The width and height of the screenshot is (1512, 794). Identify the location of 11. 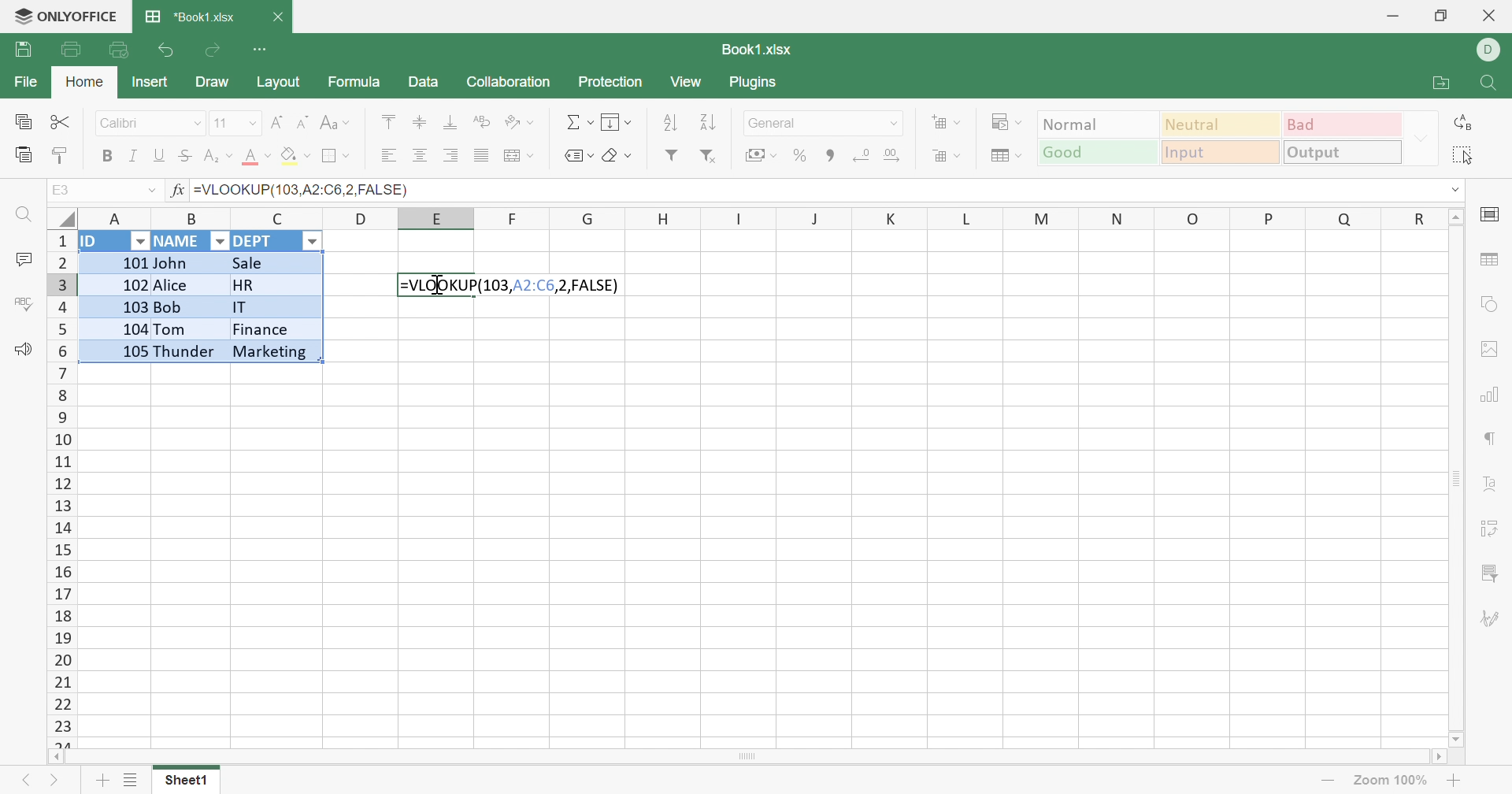
(220, 123).